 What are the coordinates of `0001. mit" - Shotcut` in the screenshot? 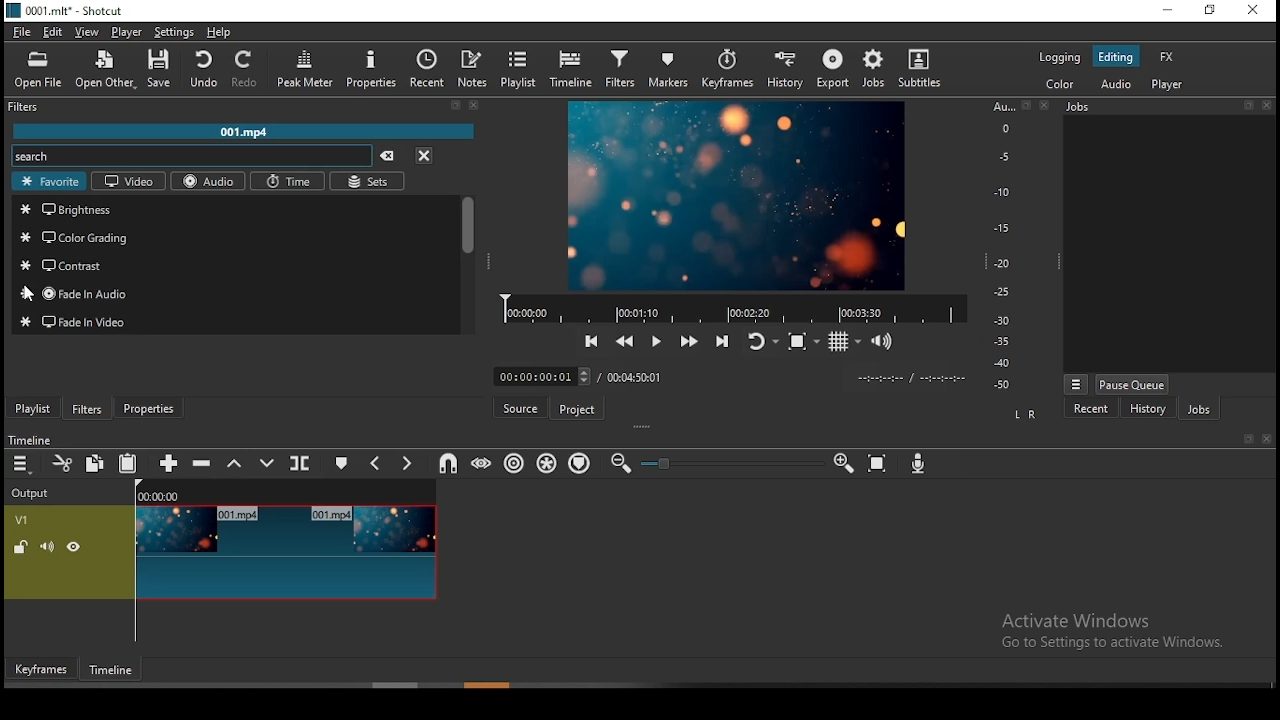 It's located at (68, 10).